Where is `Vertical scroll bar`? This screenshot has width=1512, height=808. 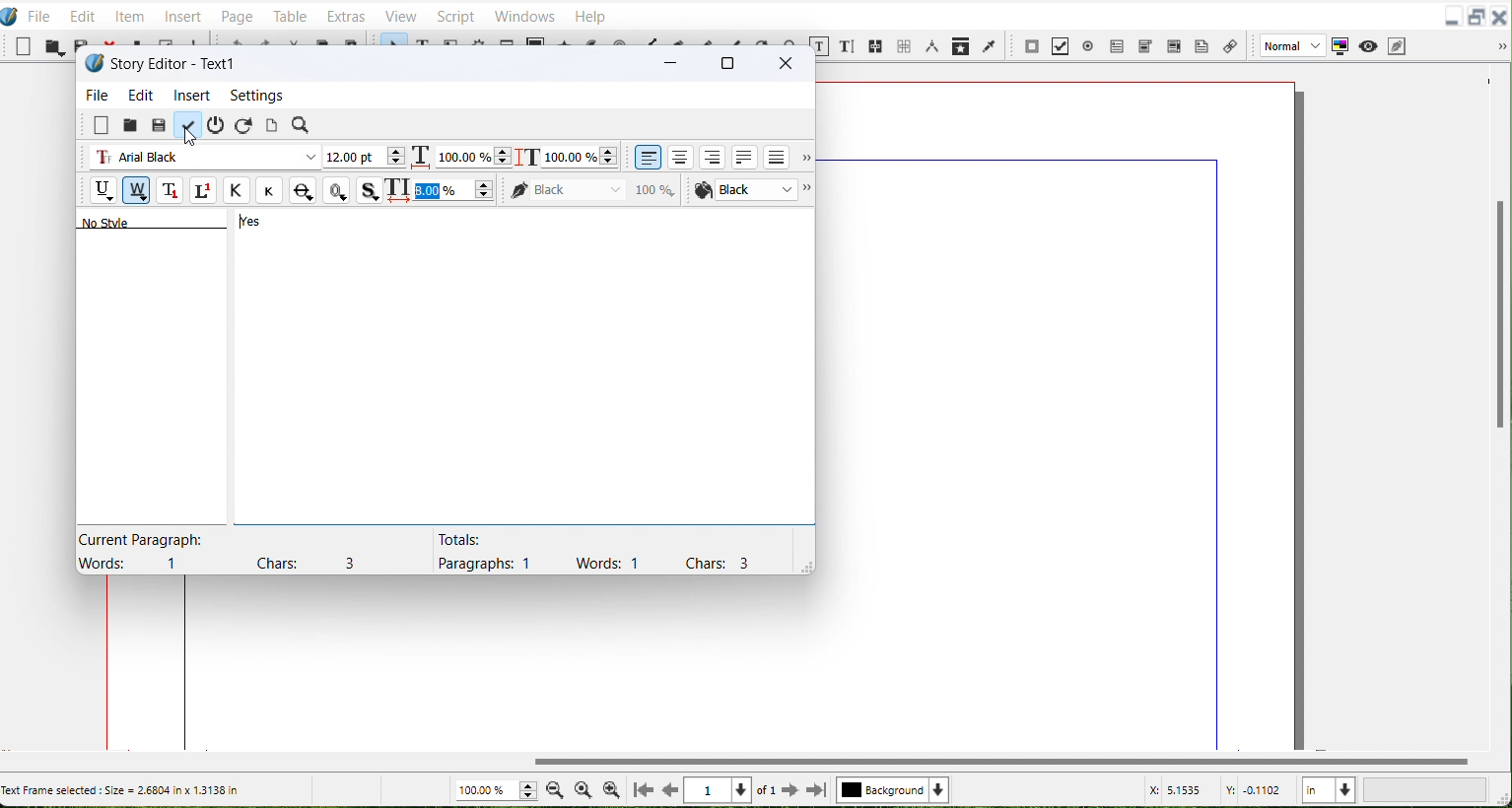
Vertical scroll bar is located at coordinates (1496, 406).